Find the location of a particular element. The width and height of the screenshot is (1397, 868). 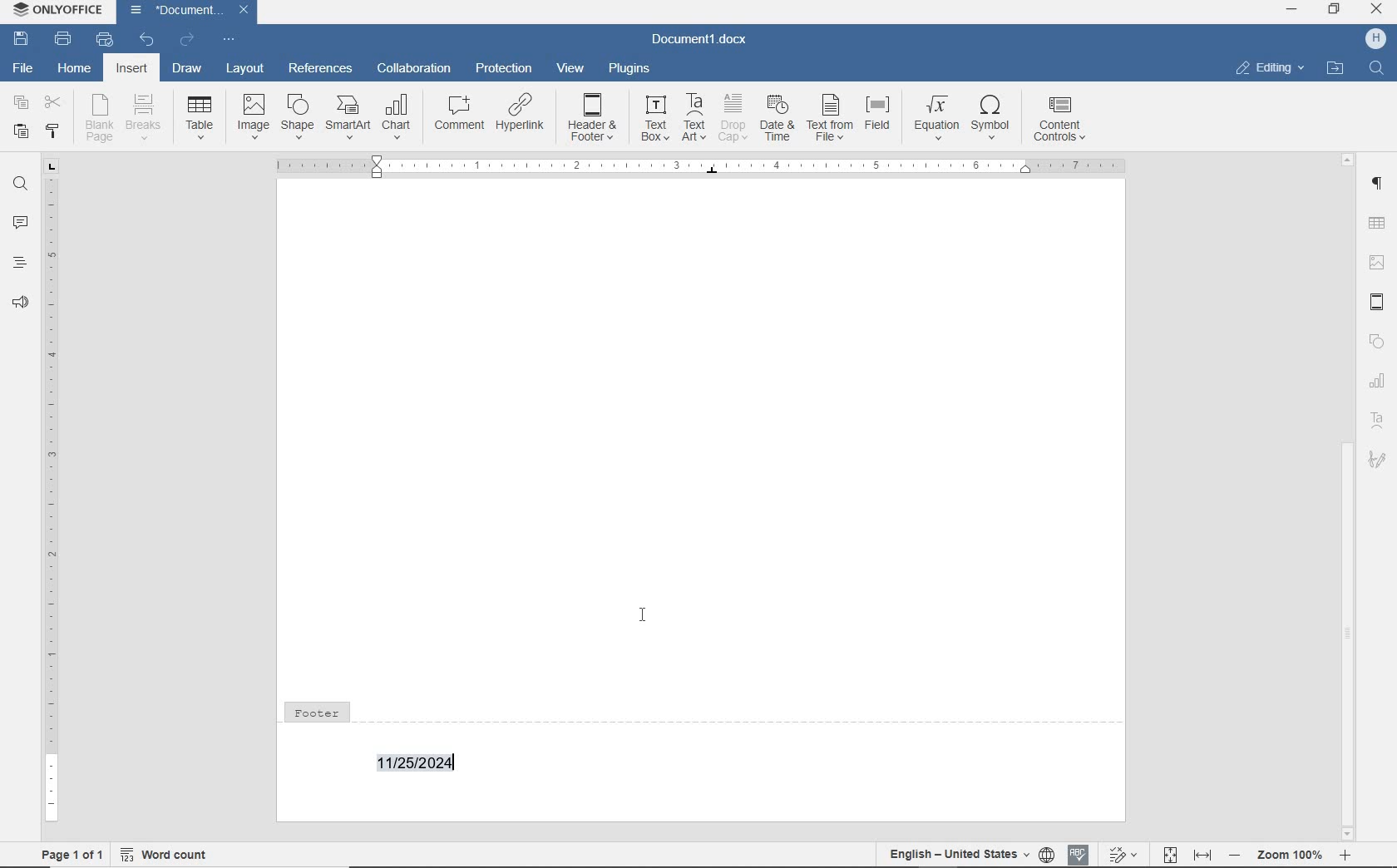

cut is located at coordinates (52, 103).